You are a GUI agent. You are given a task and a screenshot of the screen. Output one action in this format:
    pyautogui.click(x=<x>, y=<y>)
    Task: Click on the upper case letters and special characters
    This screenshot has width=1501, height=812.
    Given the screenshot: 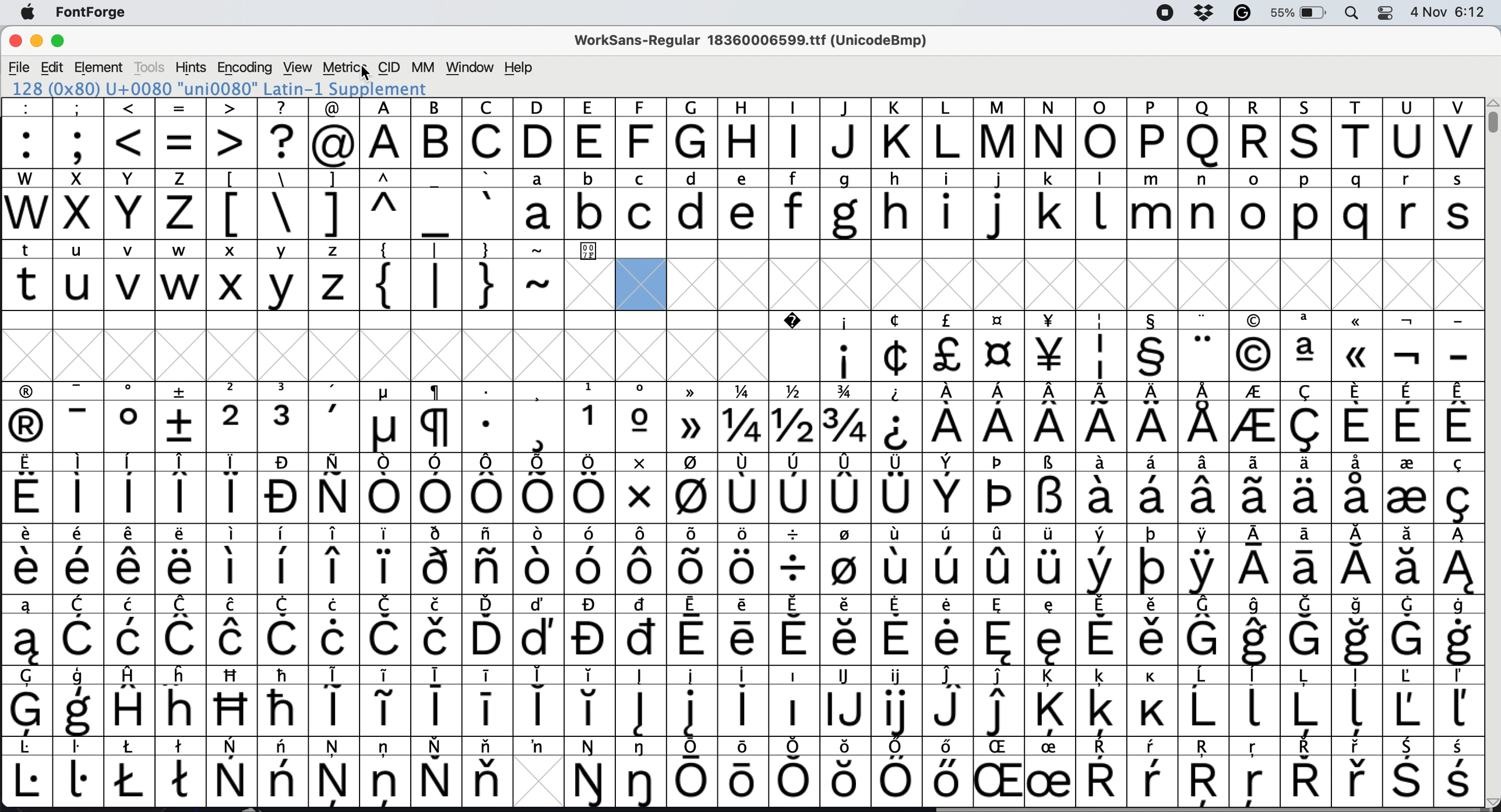 What is the action you would take?
    pyautogui.click(x=739, y=108)
    